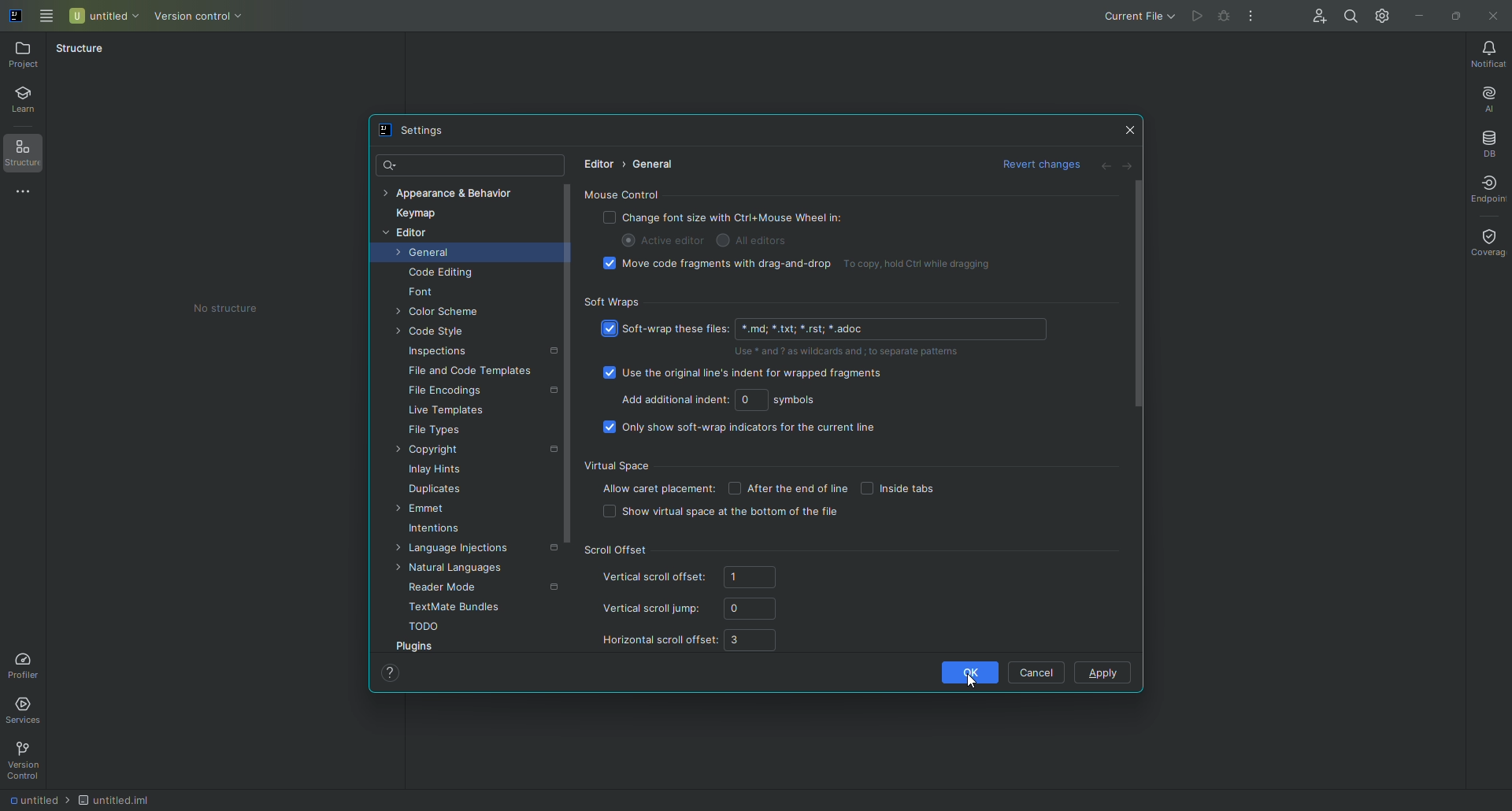 This screenshot has width=1512, height=811. Describe the element at coordinates (1130, 165) in the screenshot. I see `Forward` at that location.